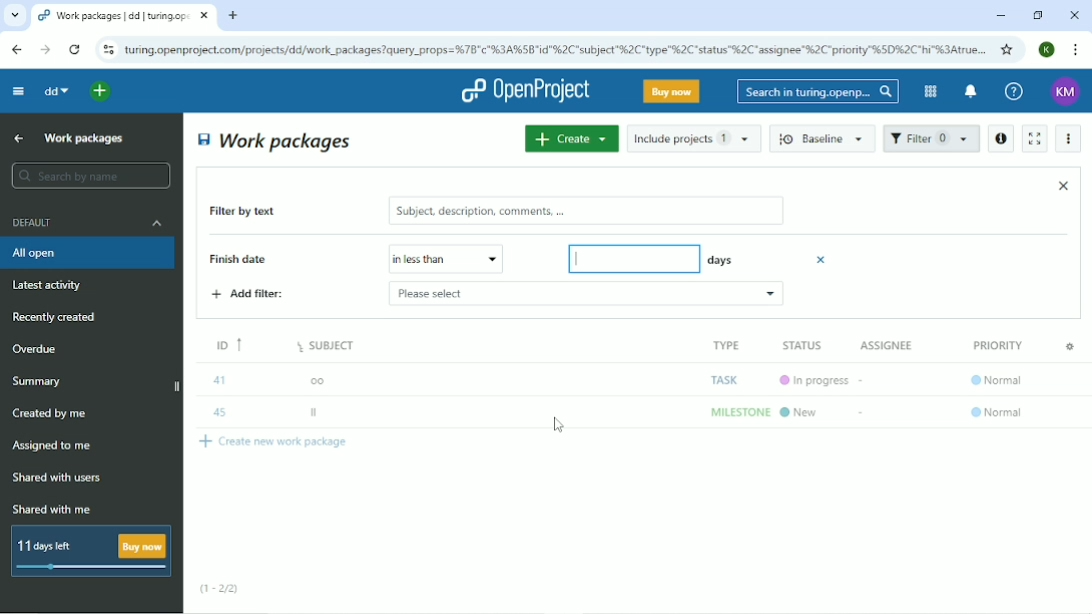 This screenshot has width=1092, height=614. What do you see at coordinates (233, 16) in the screenshot?
I see `New tab` at bounding box center [233, 16].